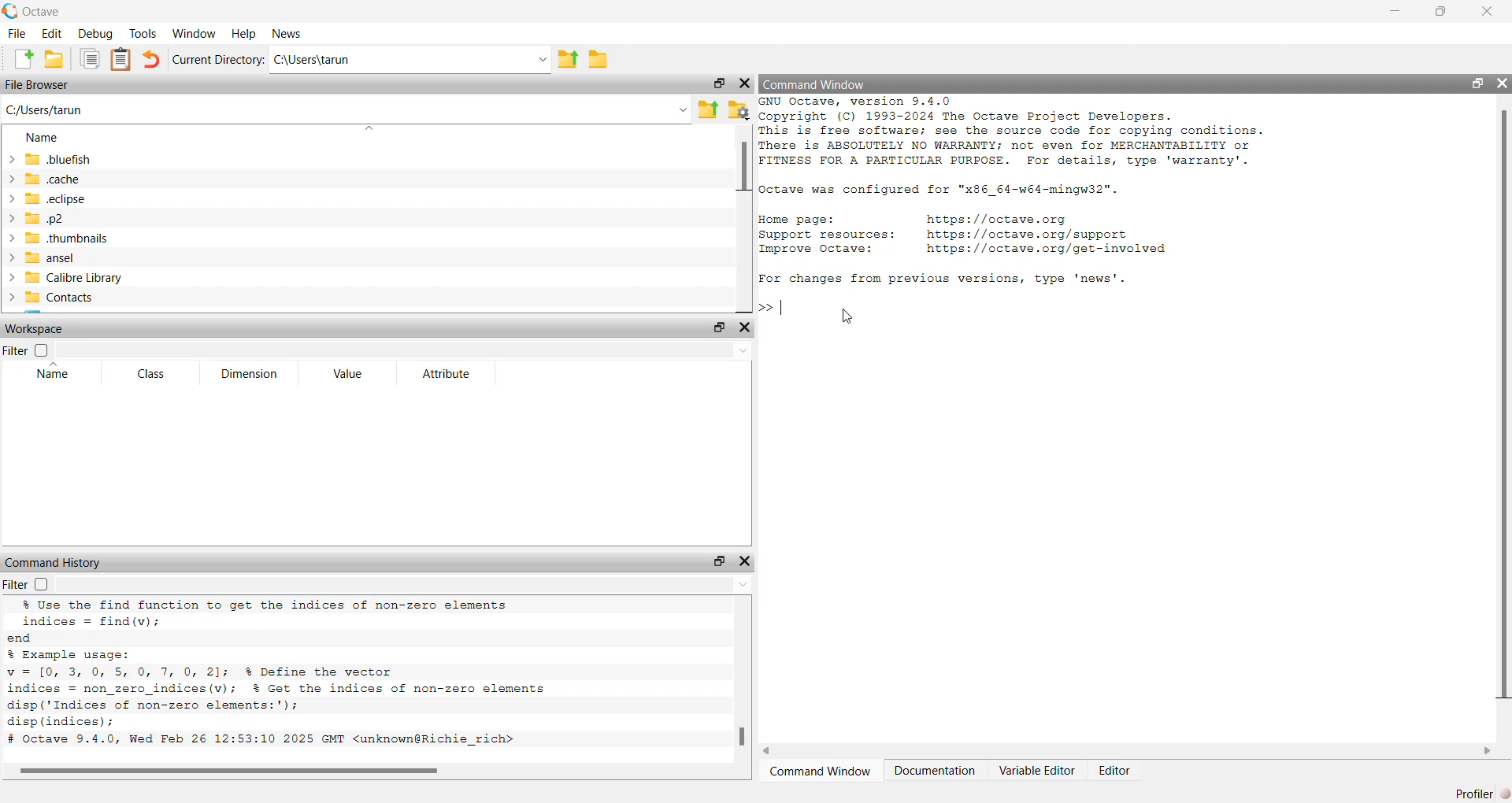 Image resolution: width=1512 pixels, height=803 pixels. Describe the element at coordinates (1470, 794) in the screenshot. I see `profiler` at that location.